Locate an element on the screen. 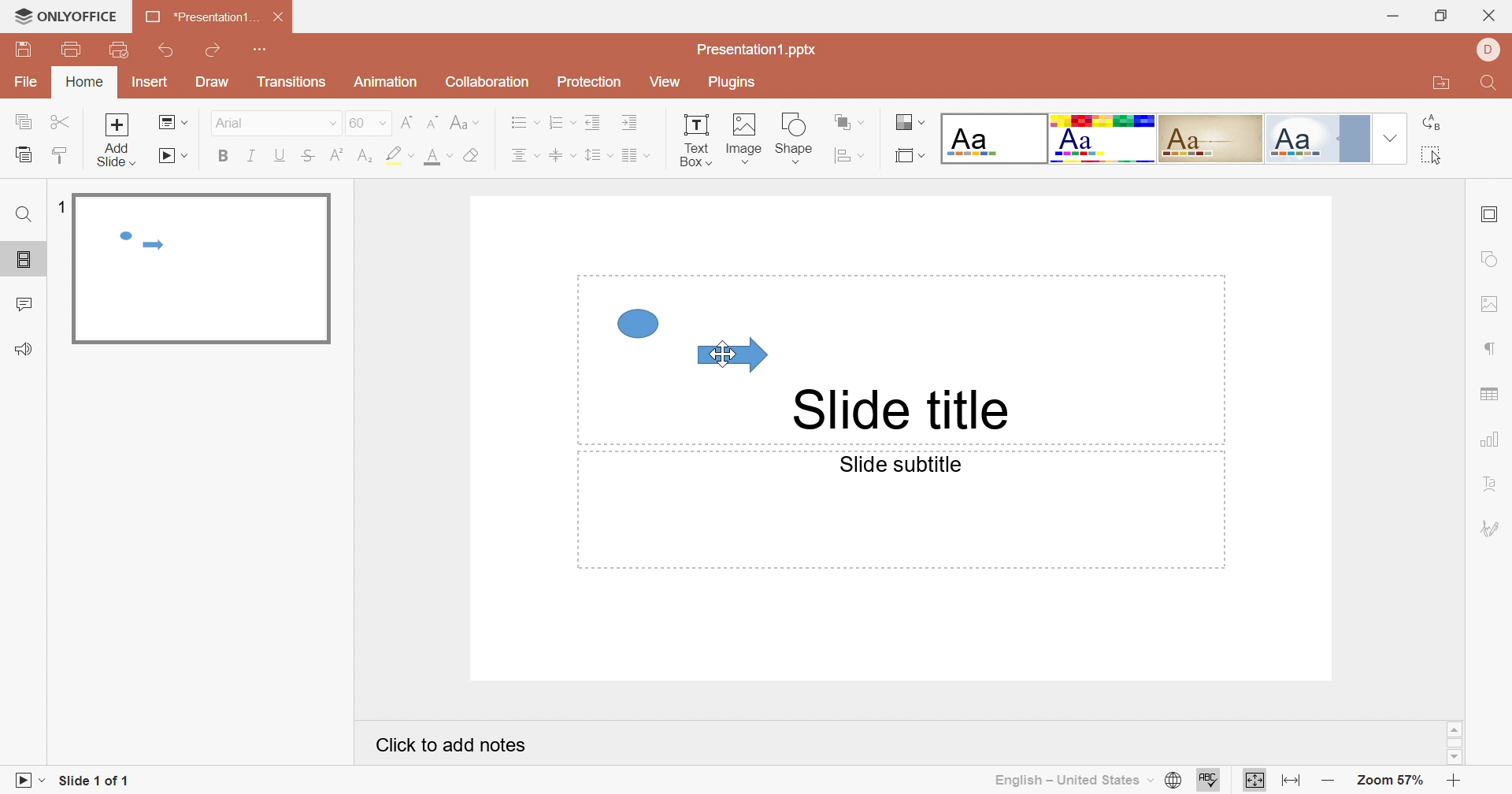 The width and height of the screenshot is (1512, 794). Basic is located at coordinates (1104, 140).